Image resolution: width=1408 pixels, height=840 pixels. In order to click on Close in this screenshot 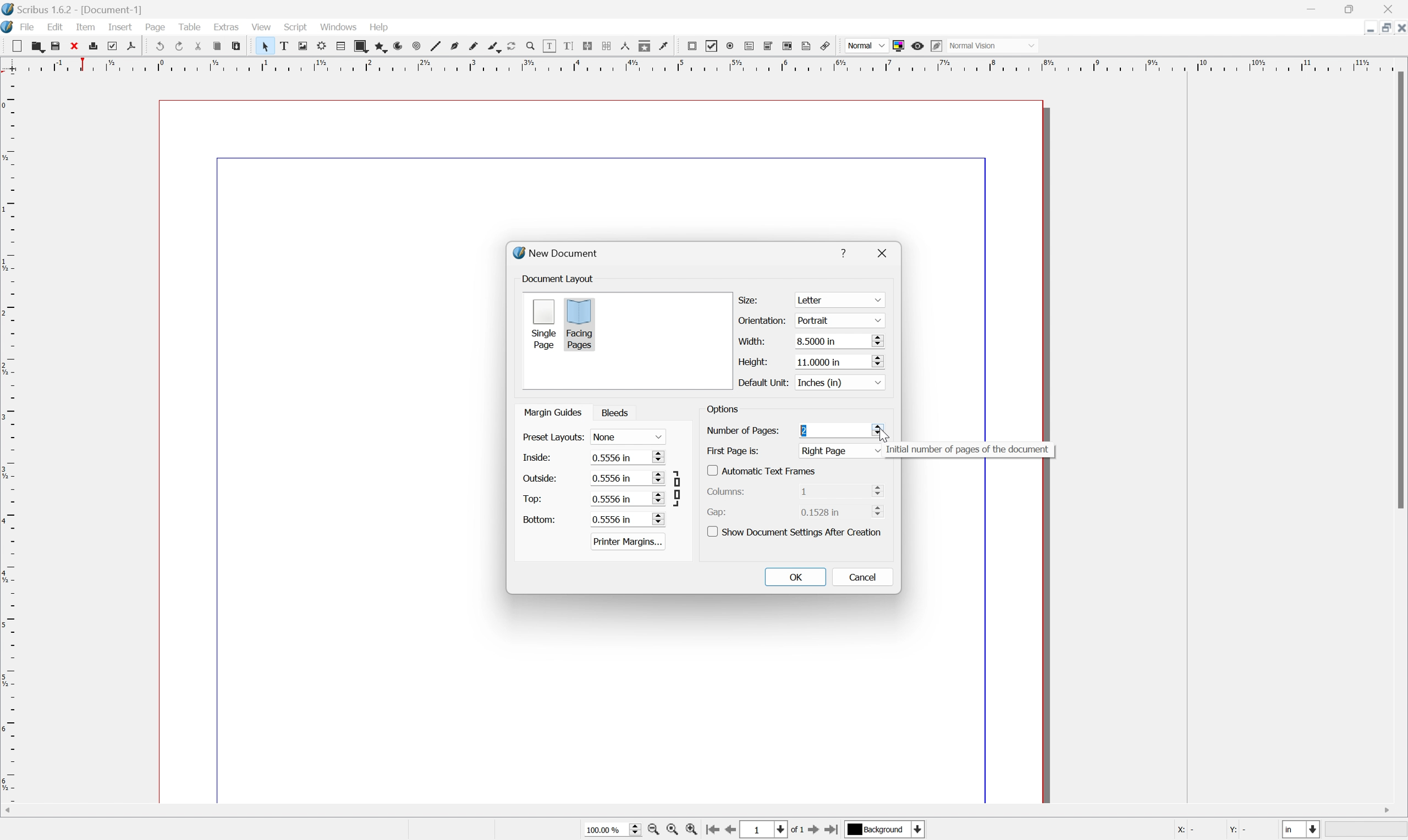, I will do `click(78, 46)`.